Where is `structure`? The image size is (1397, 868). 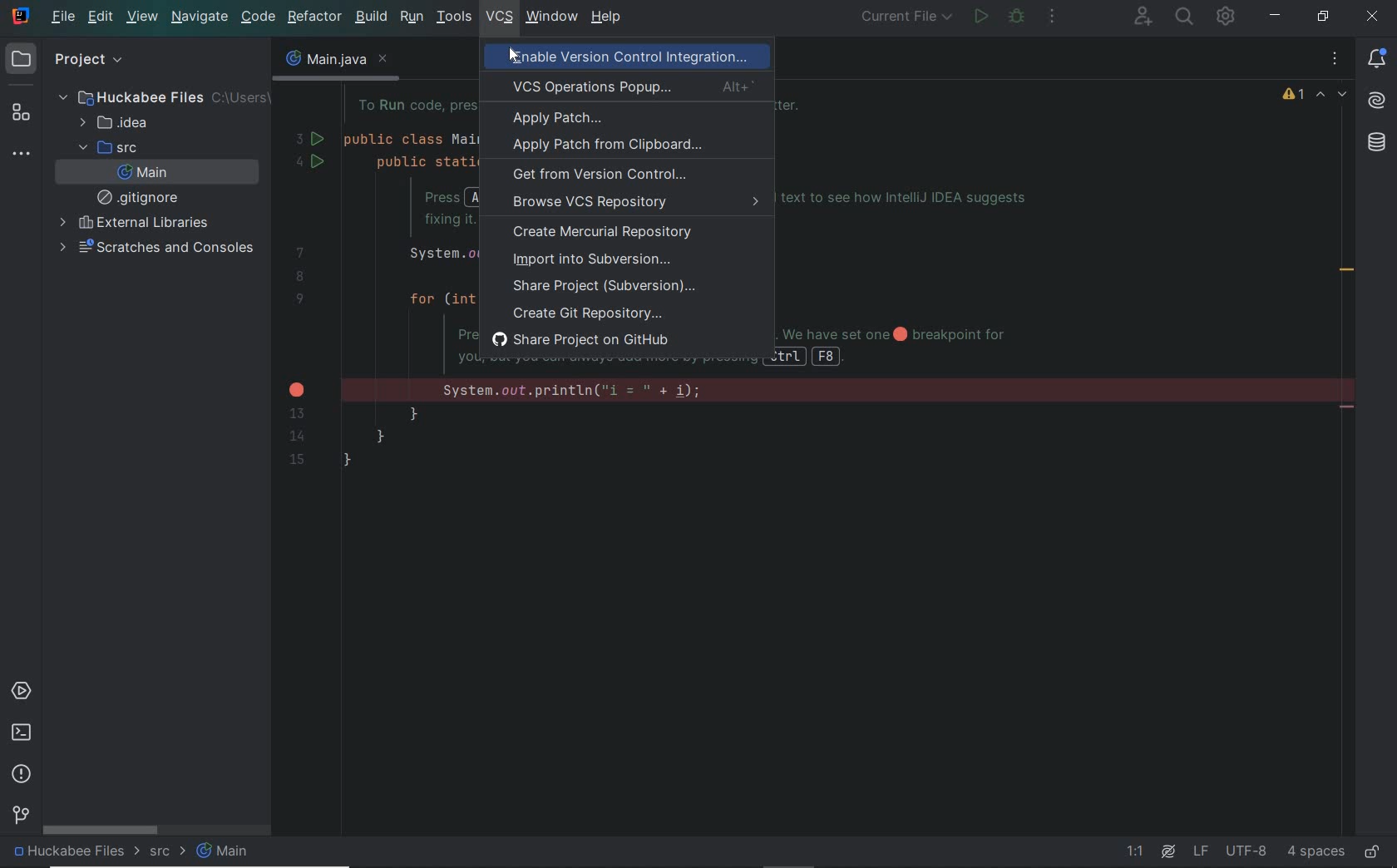
structure is located at coordinates (20, 113).